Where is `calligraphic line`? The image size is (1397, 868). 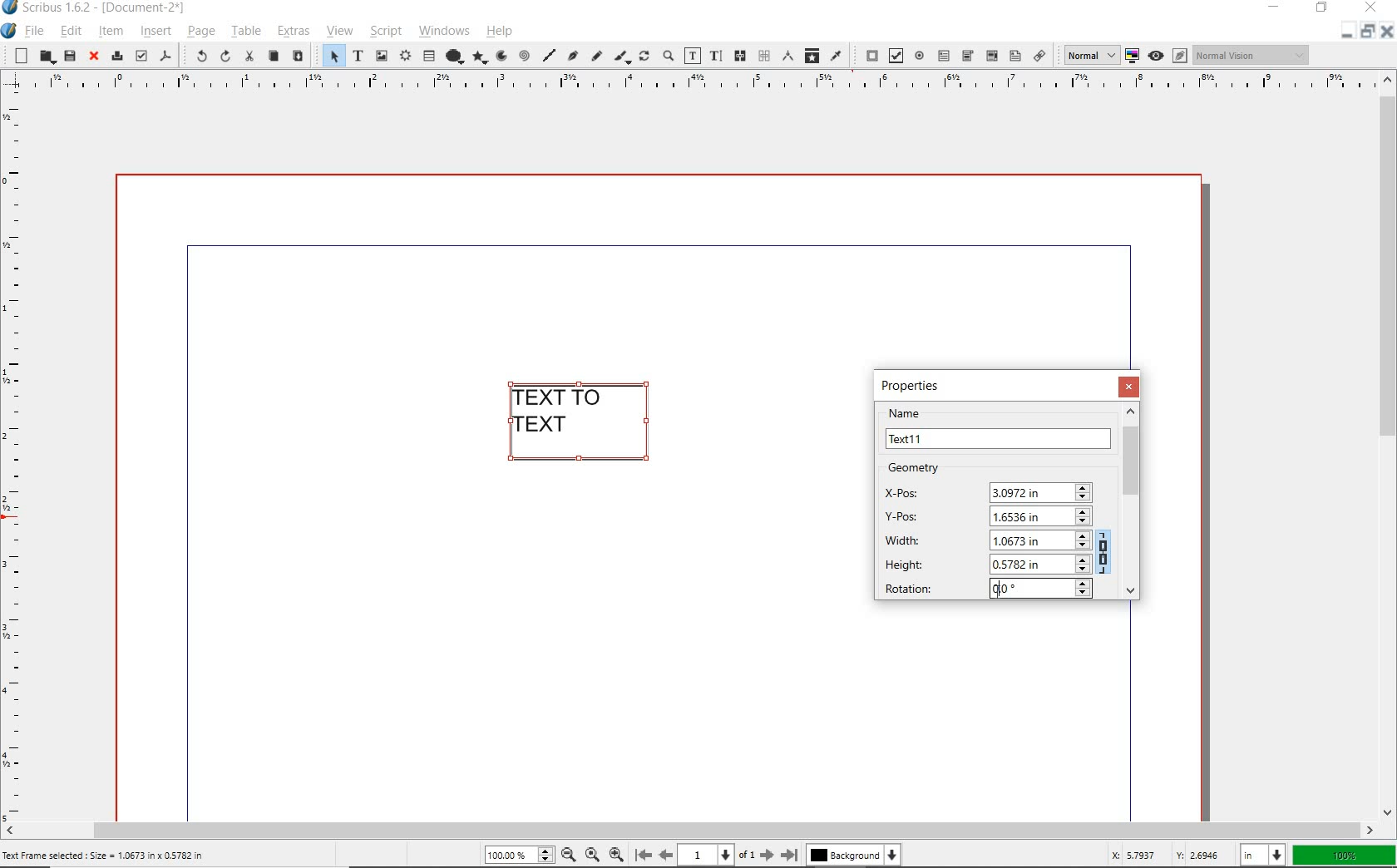 calligraphic line is located at coordinates (623, 56).